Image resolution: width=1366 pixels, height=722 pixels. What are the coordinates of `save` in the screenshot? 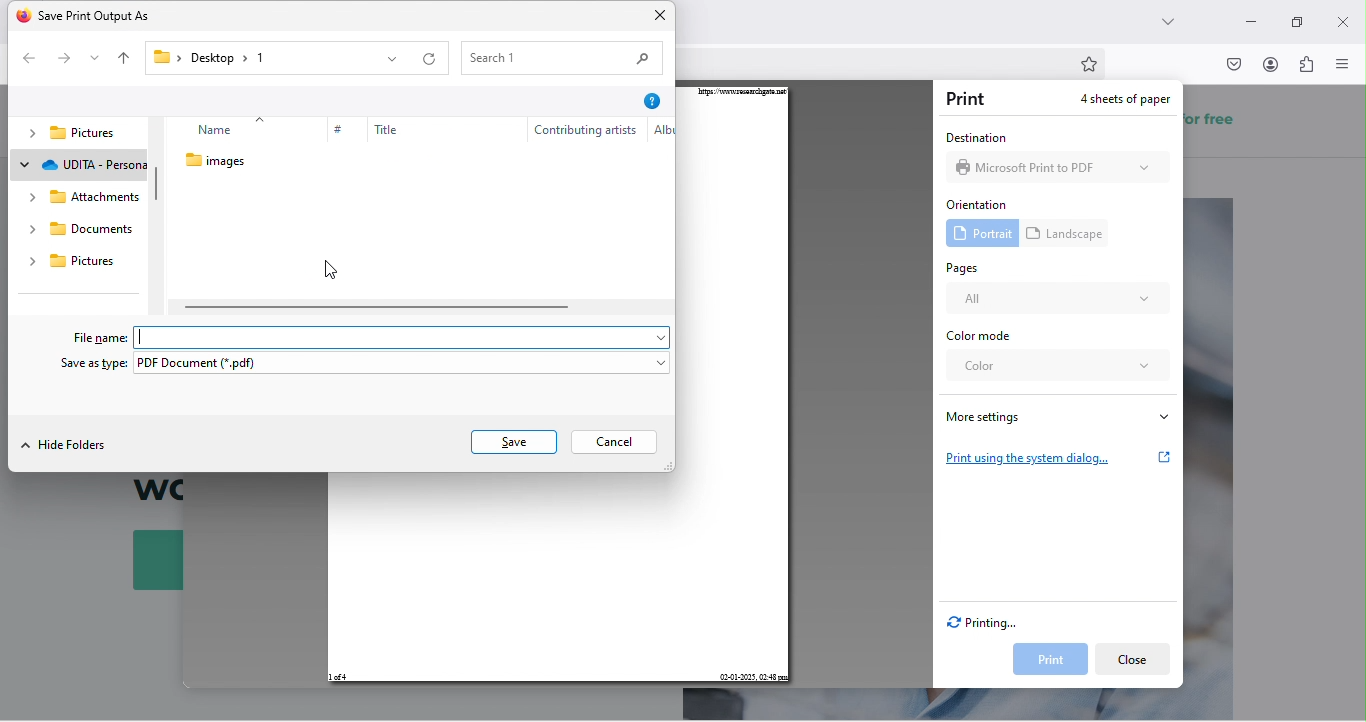 It's located at (513, 440).